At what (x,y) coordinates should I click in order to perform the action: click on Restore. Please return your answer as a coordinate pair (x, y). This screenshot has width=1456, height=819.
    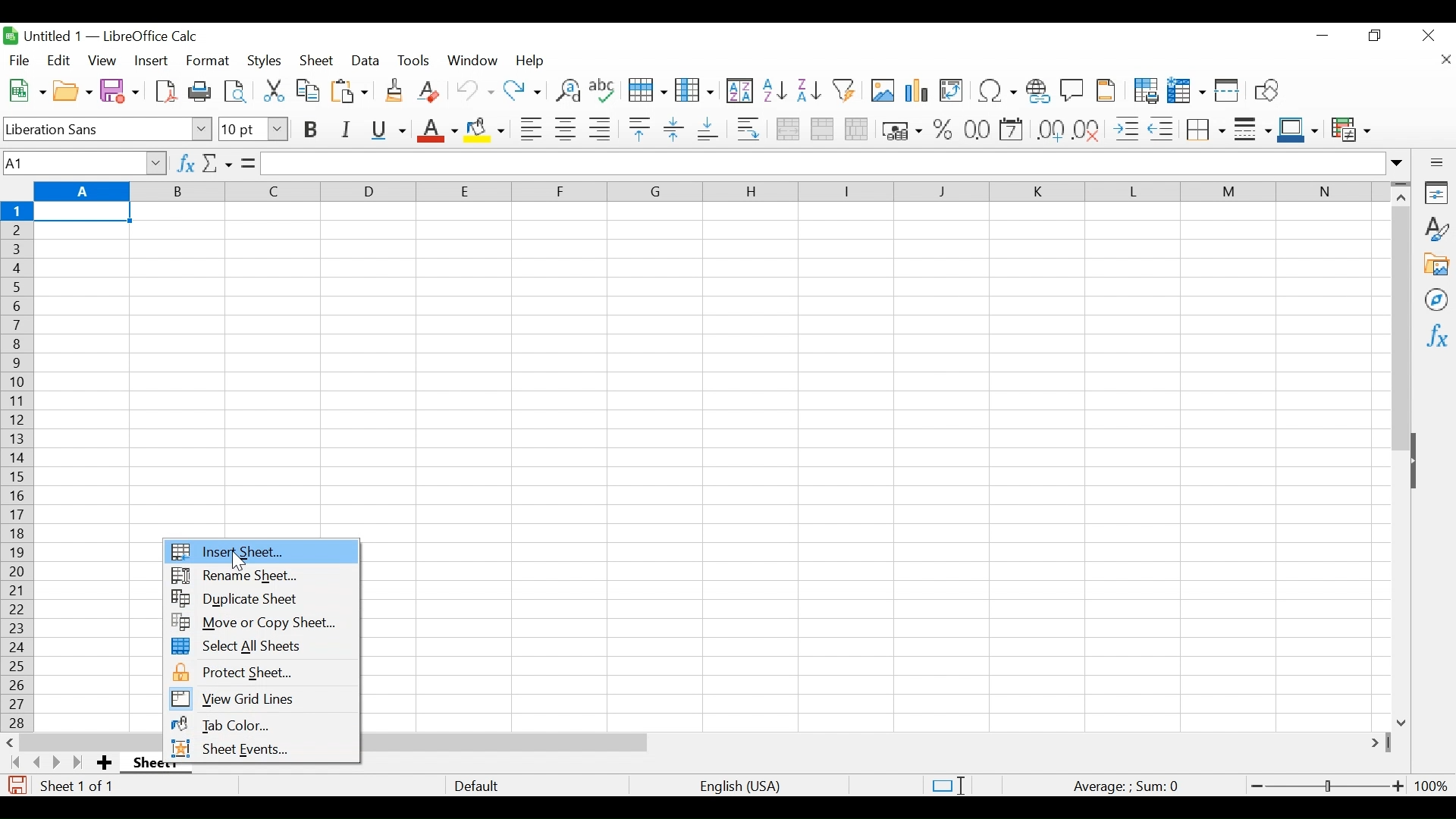
    Looking at the image, I should click on (1376, 37).